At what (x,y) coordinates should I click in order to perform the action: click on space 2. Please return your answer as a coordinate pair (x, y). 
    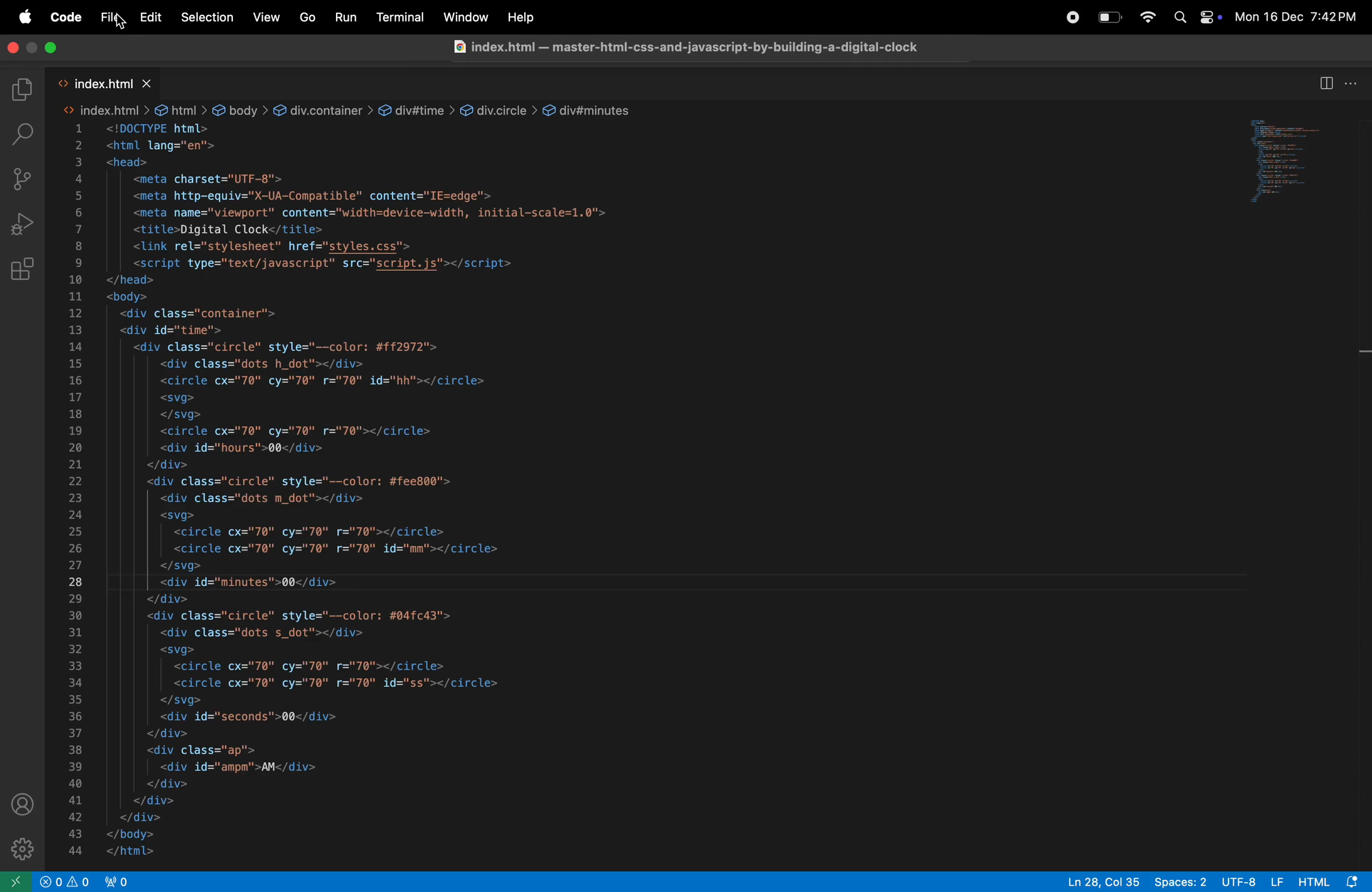
    Looking at the image, I should click on (1177, 882).